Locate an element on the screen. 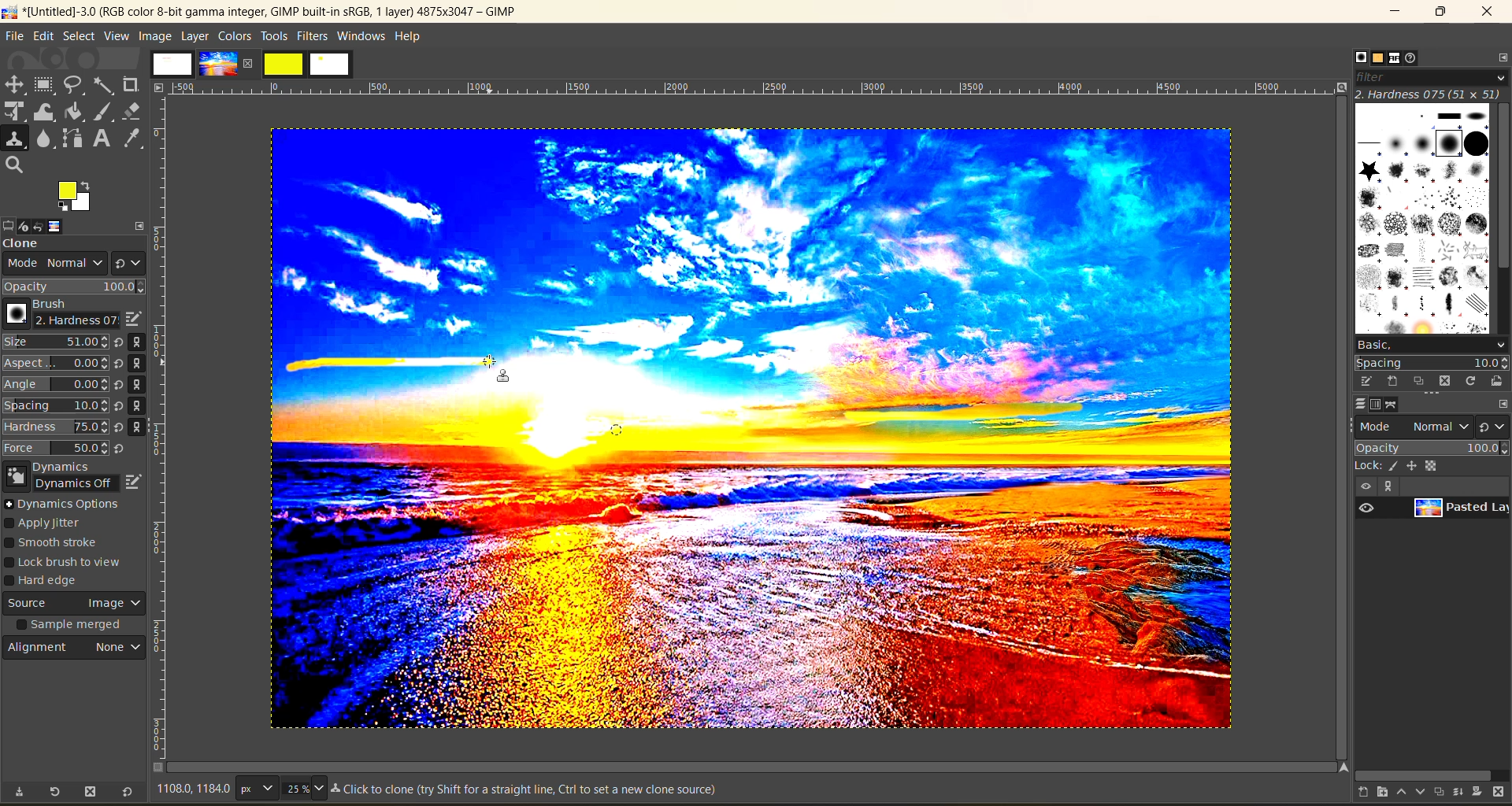 The image size is (1512, 806). delete tool preset is located at coordinates (91, 793).